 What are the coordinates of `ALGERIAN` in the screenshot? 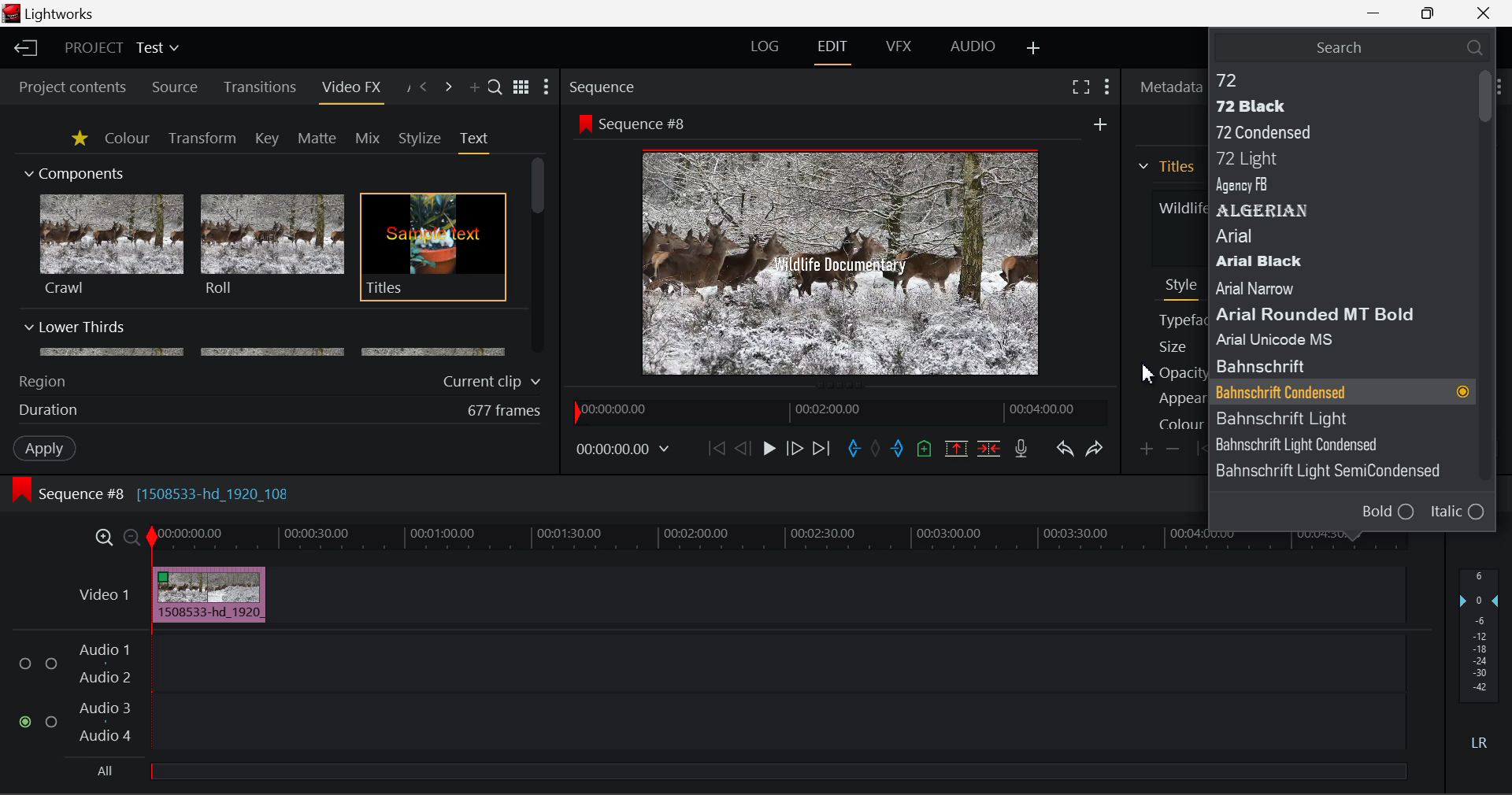 It's located at (1331, 211).